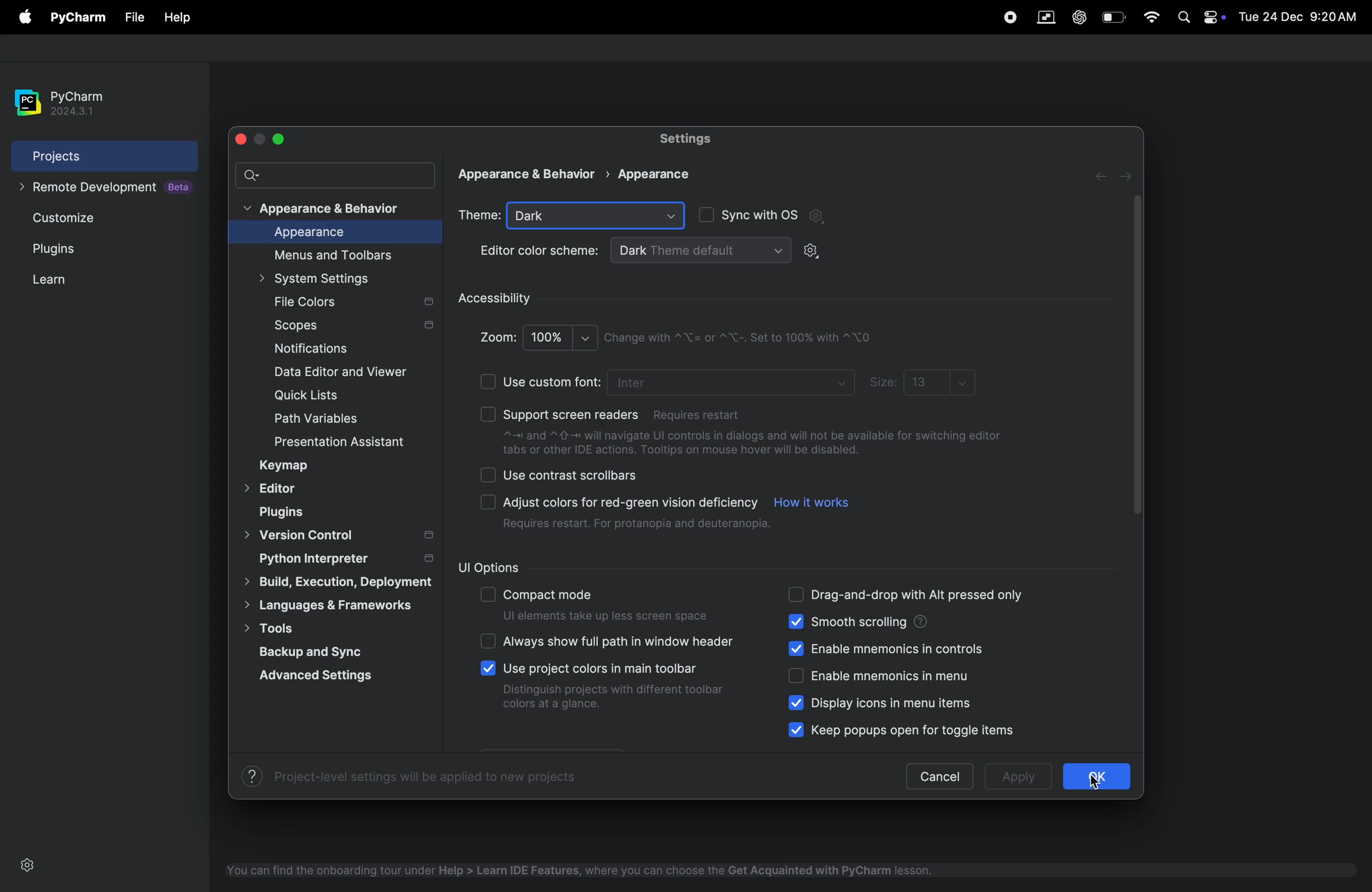 Image resolution: width=1372 pixels, height=892 pixels. What do you see at coordinates (800, 648) in the screenshot?
I see `checkbox` at bounding box center [800, 648].